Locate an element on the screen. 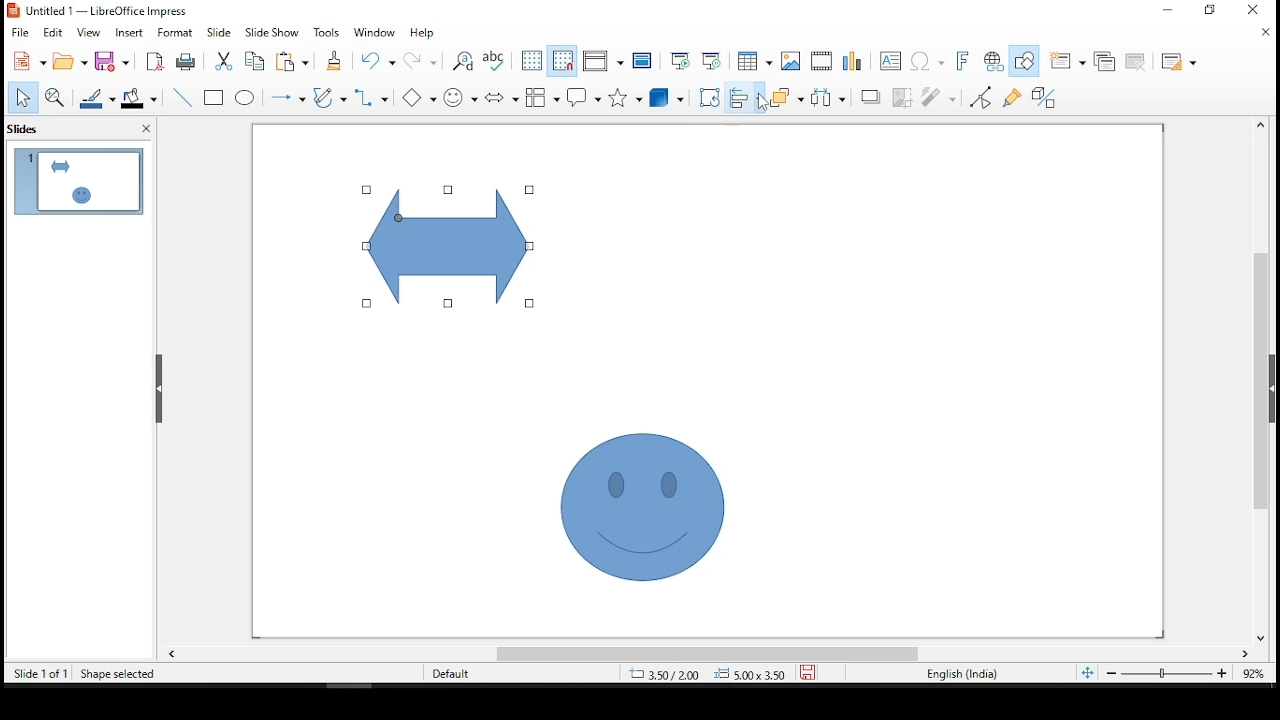 This screenshot has width=1280, height=720. slide 1 of 1 is located at coordinates (41, 673).